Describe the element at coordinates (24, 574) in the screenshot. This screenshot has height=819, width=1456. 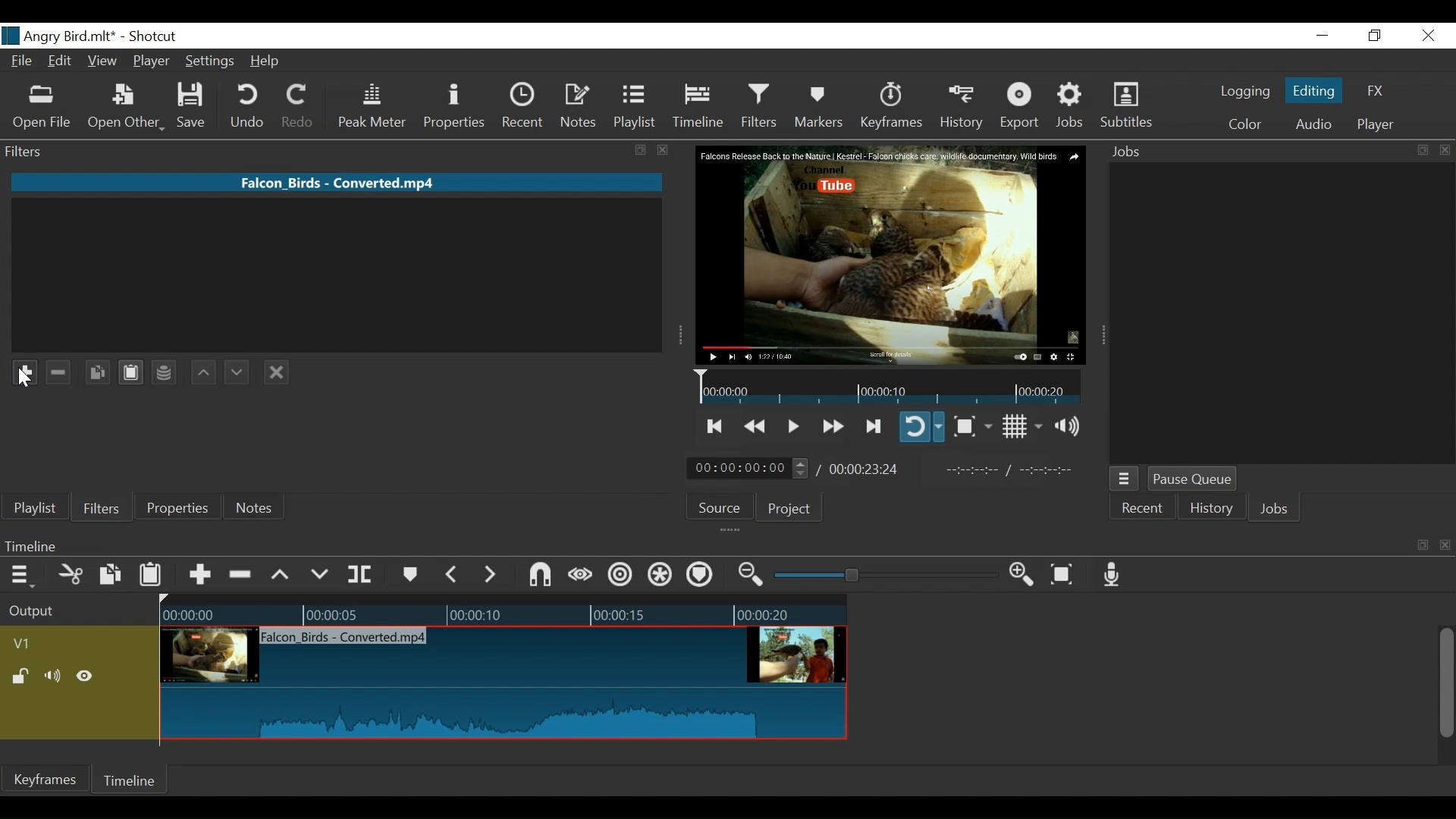
I see `Timeline menu` at that location.